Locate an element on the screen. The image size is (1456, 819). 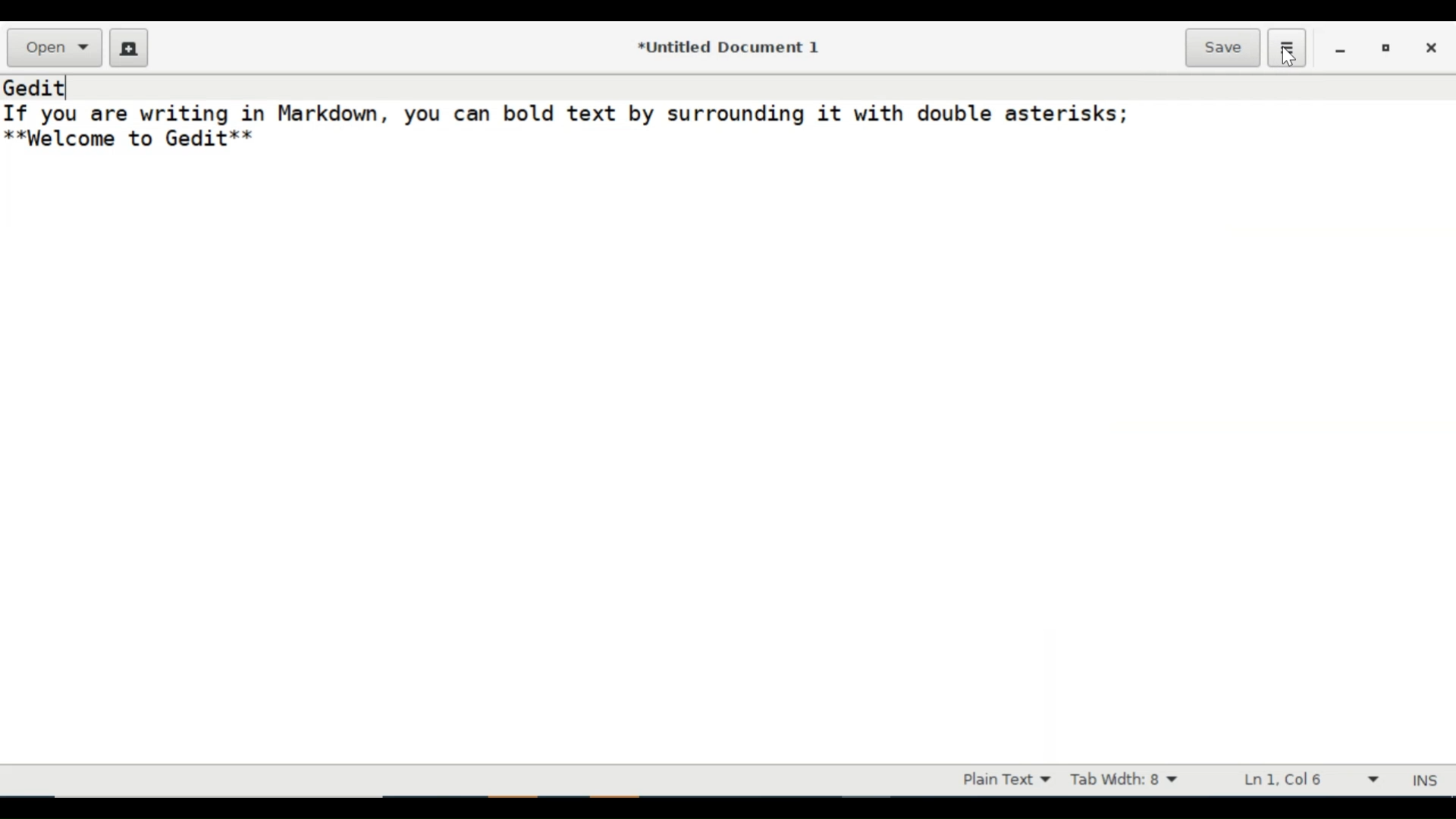
Open is located at coordinates (54, 47).